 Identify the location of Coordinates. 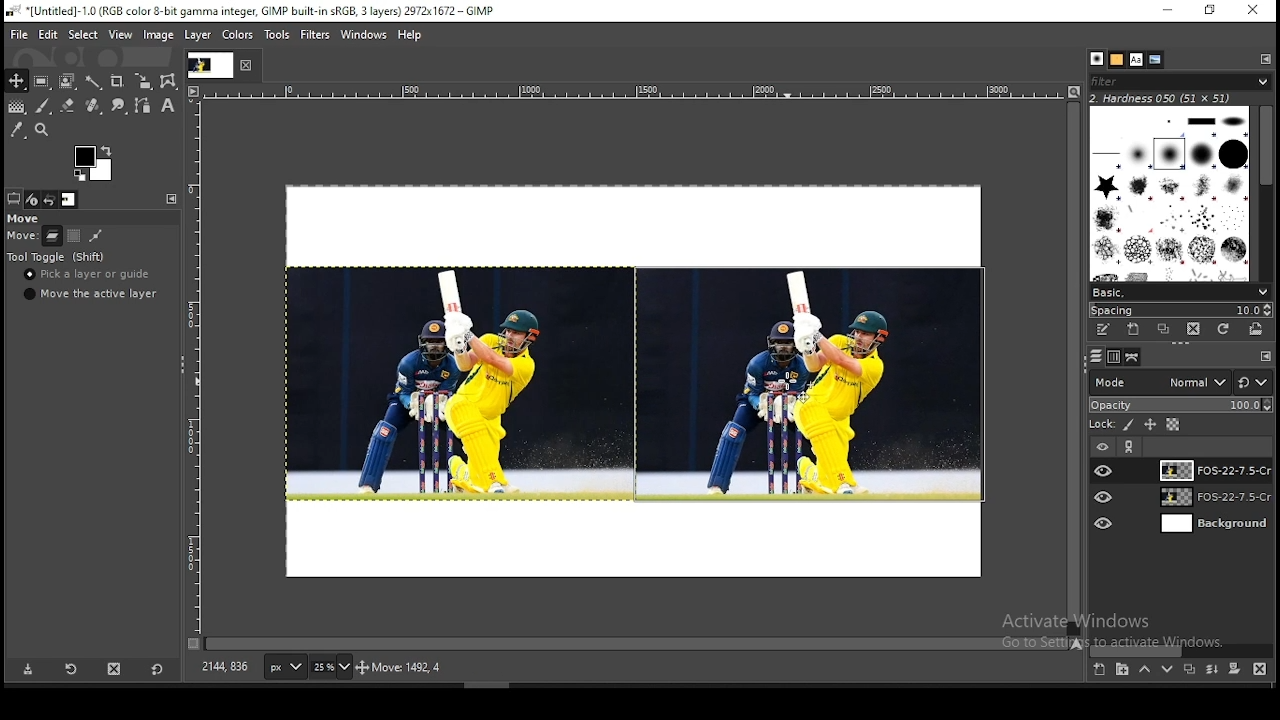
(226, 667).